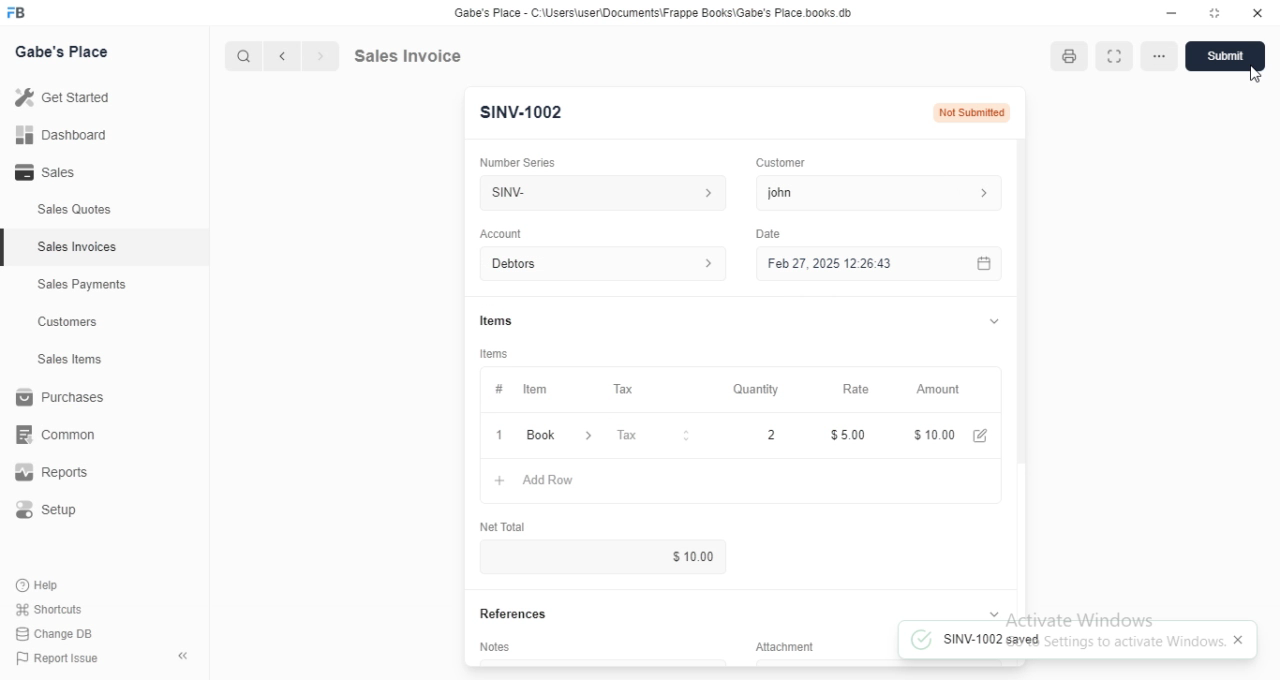 The width and height of the screenshot is (1280, 680). Describe the element at coordinates (451, 56) in the screenshot. I see `Sales Invoice` at that location.